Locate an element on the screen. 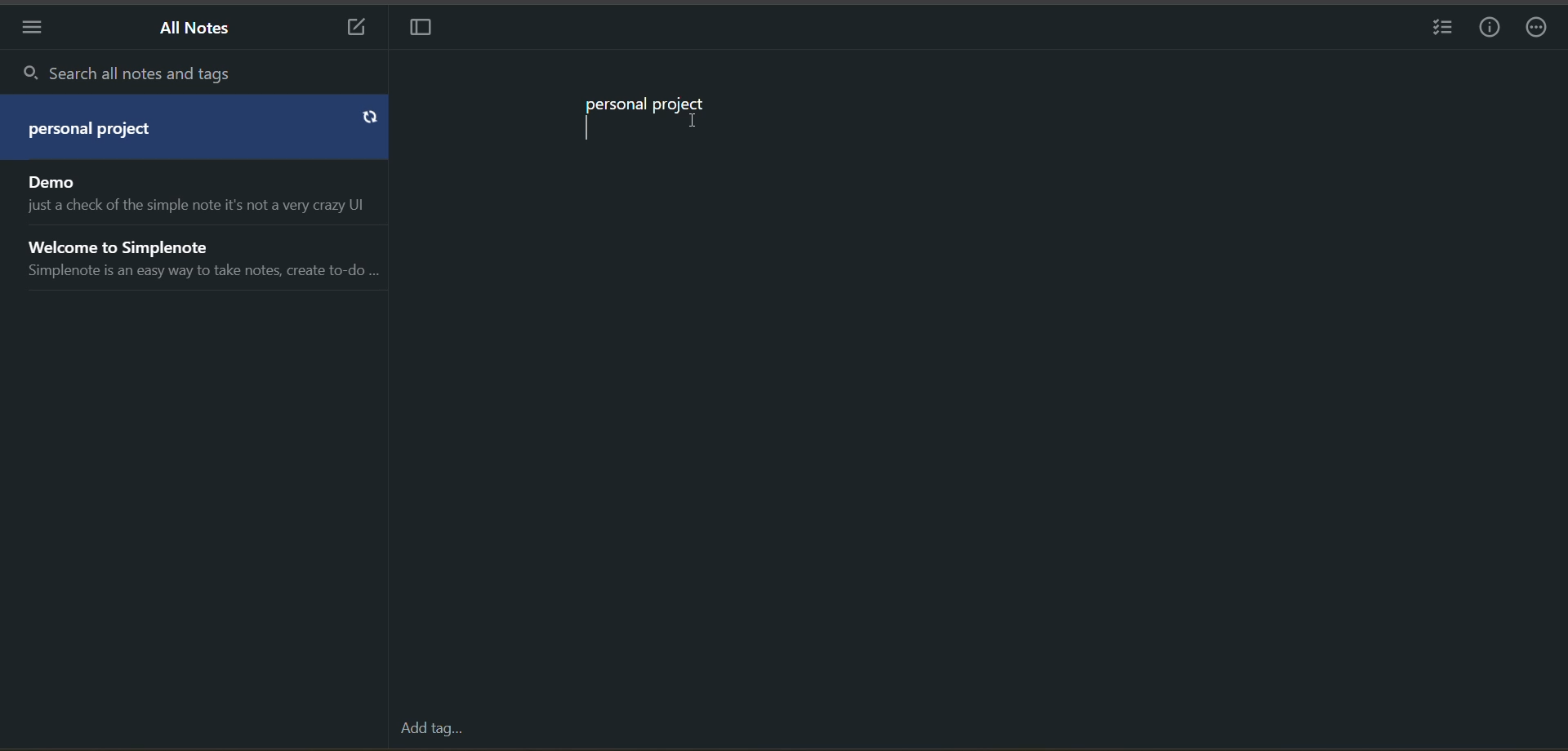  toggle focus mode is located at coordinates (421, 29).